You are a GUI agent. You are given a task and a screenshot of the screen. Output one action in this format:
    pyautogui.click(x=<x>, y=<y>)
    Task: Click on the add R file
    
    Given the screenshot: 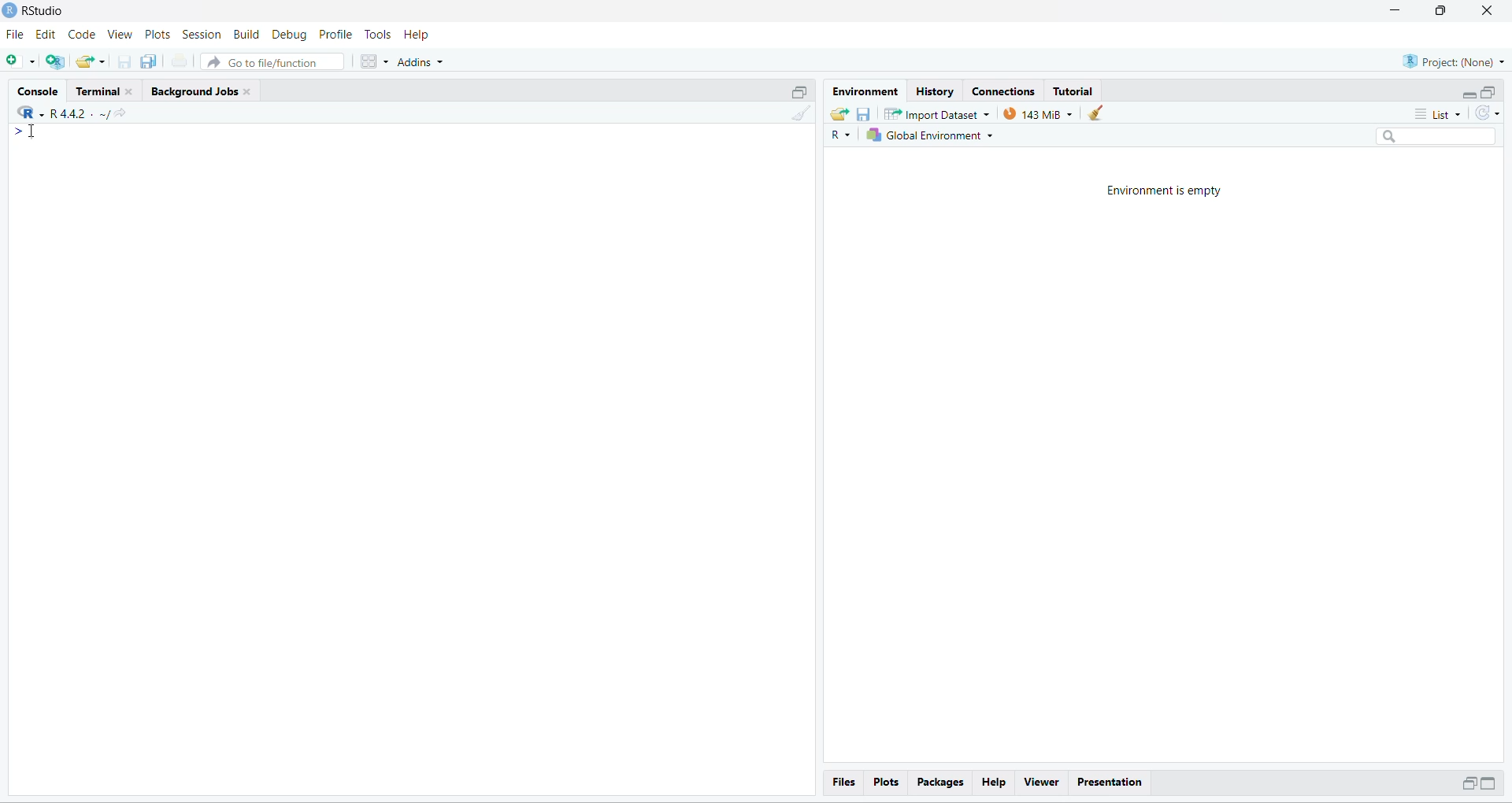 What is the action you would take?
    pyautogui.click(x=55, y=62)
    